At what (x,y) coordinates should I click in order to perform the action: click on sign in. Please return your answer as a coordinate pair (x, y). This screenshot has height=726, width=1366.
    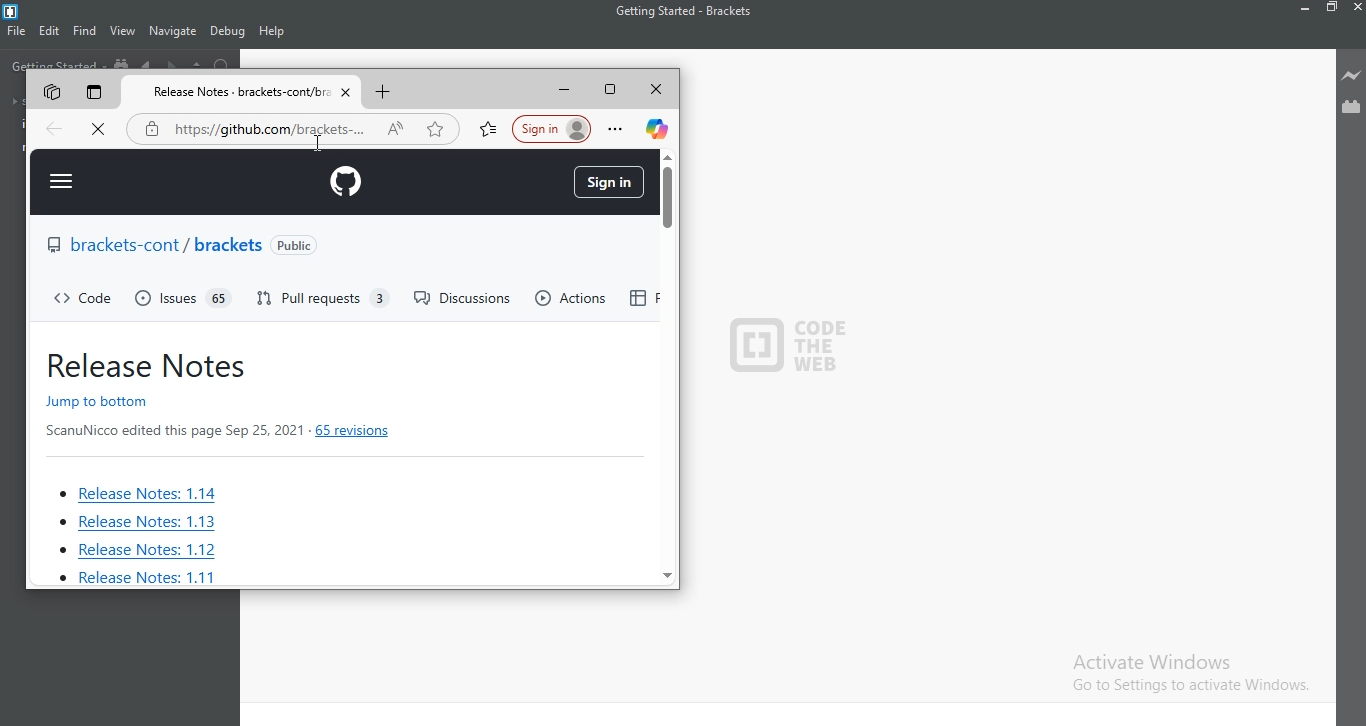
    Looking at the image, I should click on (552, 128).